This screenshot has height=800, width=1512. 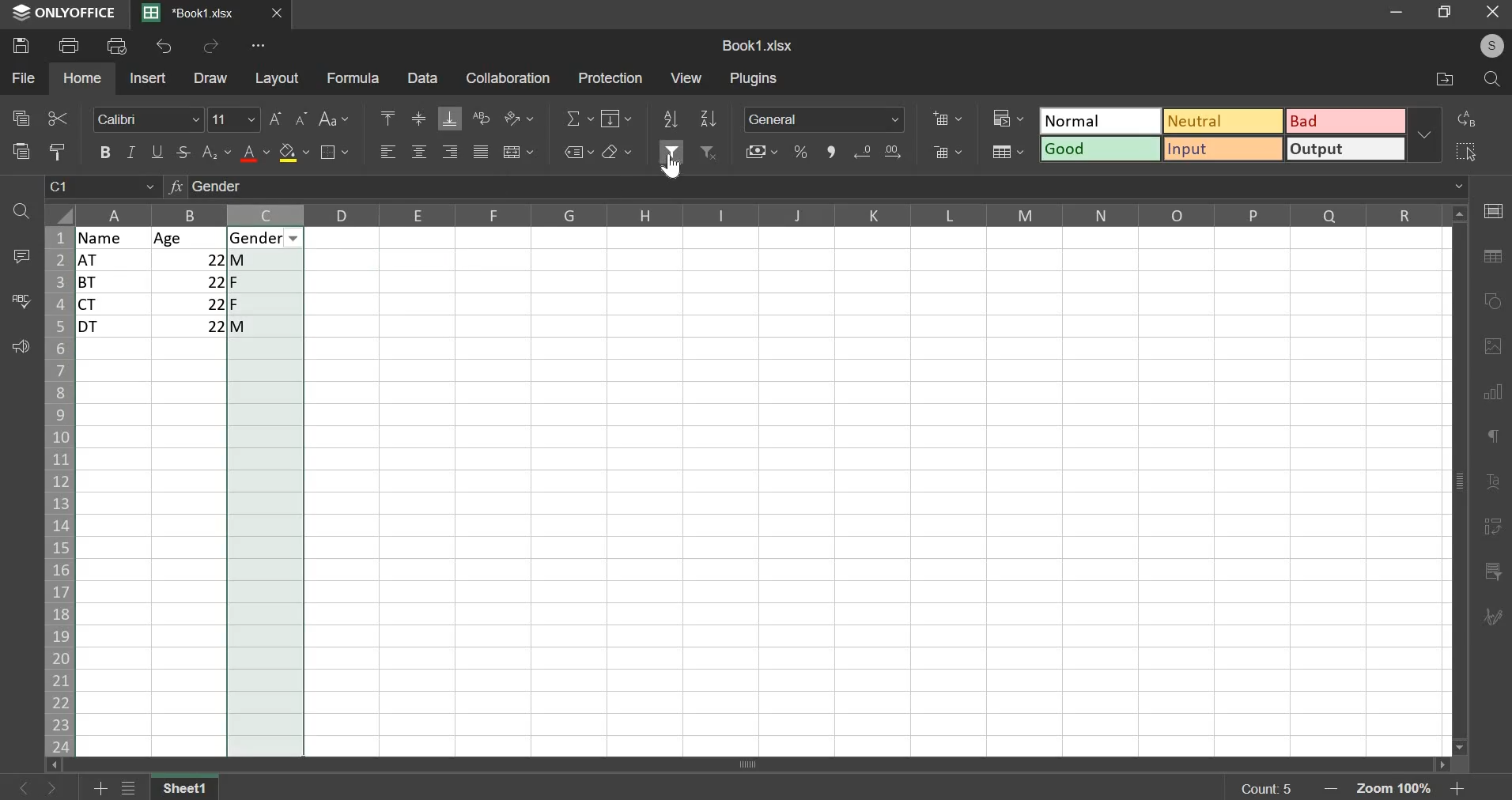 I want to click on view, so click(x=686, y=77).